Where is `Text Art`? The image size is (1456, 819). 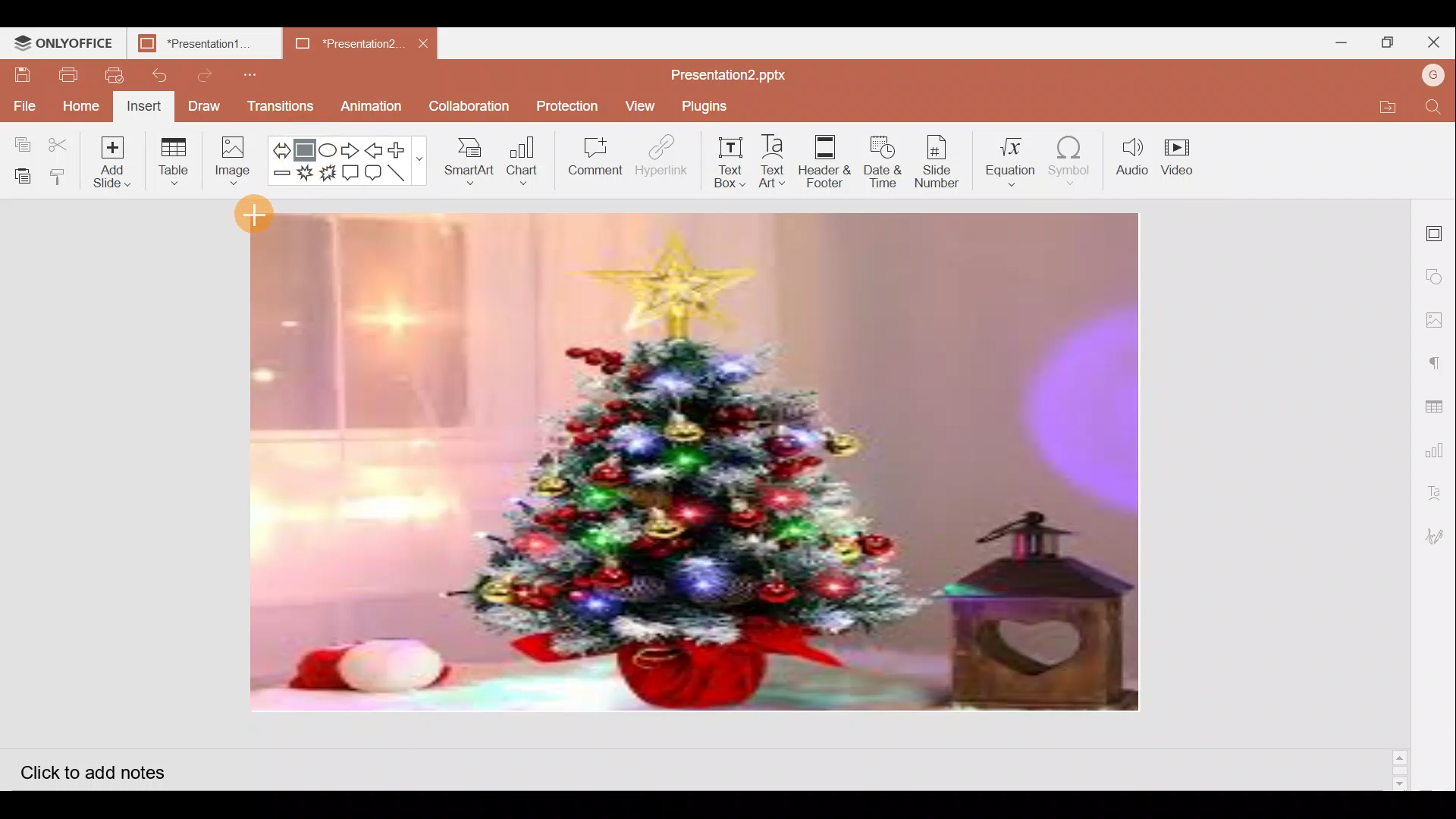
Text Art is located at coordinates (773, 162).